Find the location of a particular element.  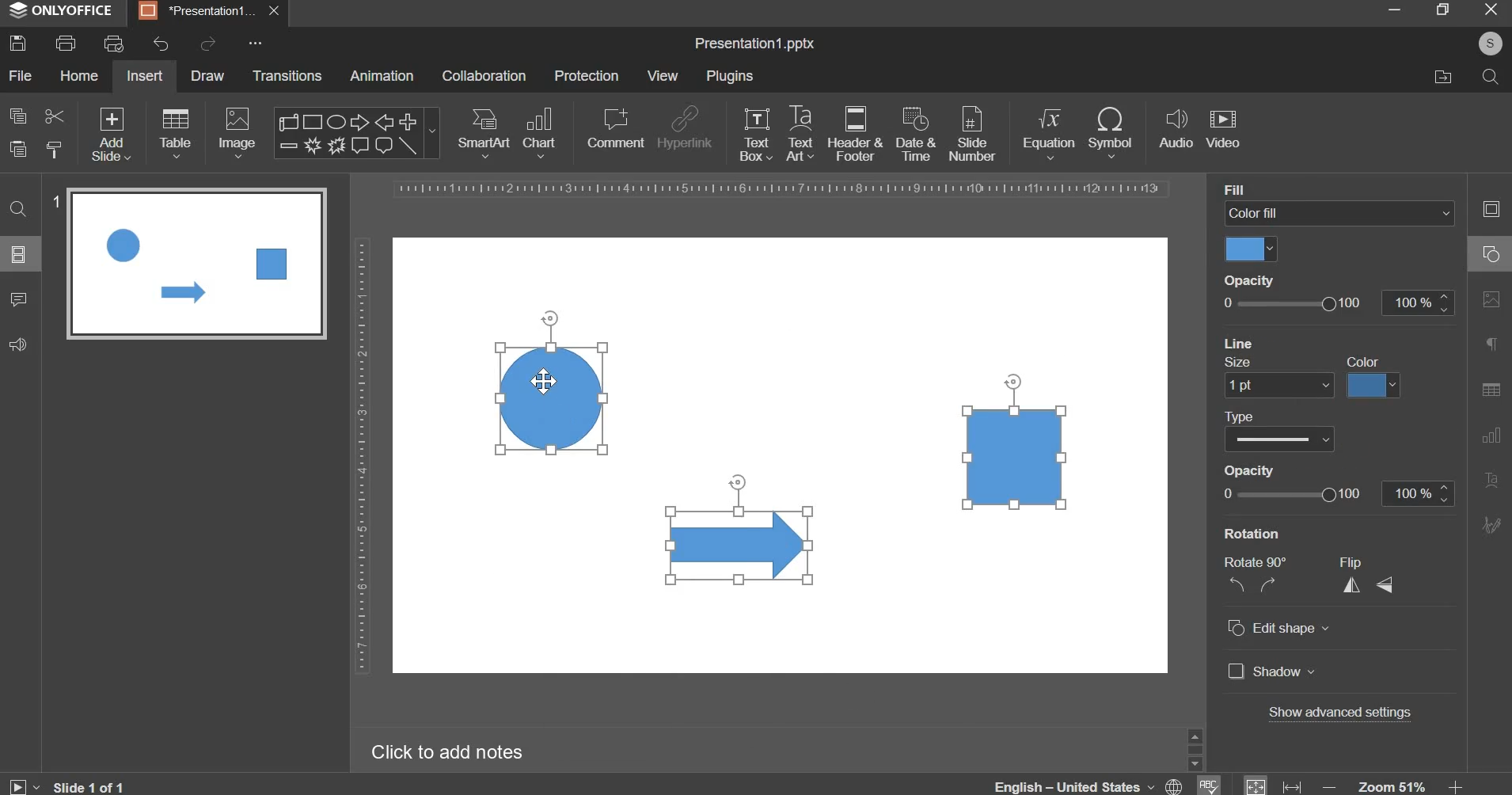

slide setting is located at coordinates (1490, 208).